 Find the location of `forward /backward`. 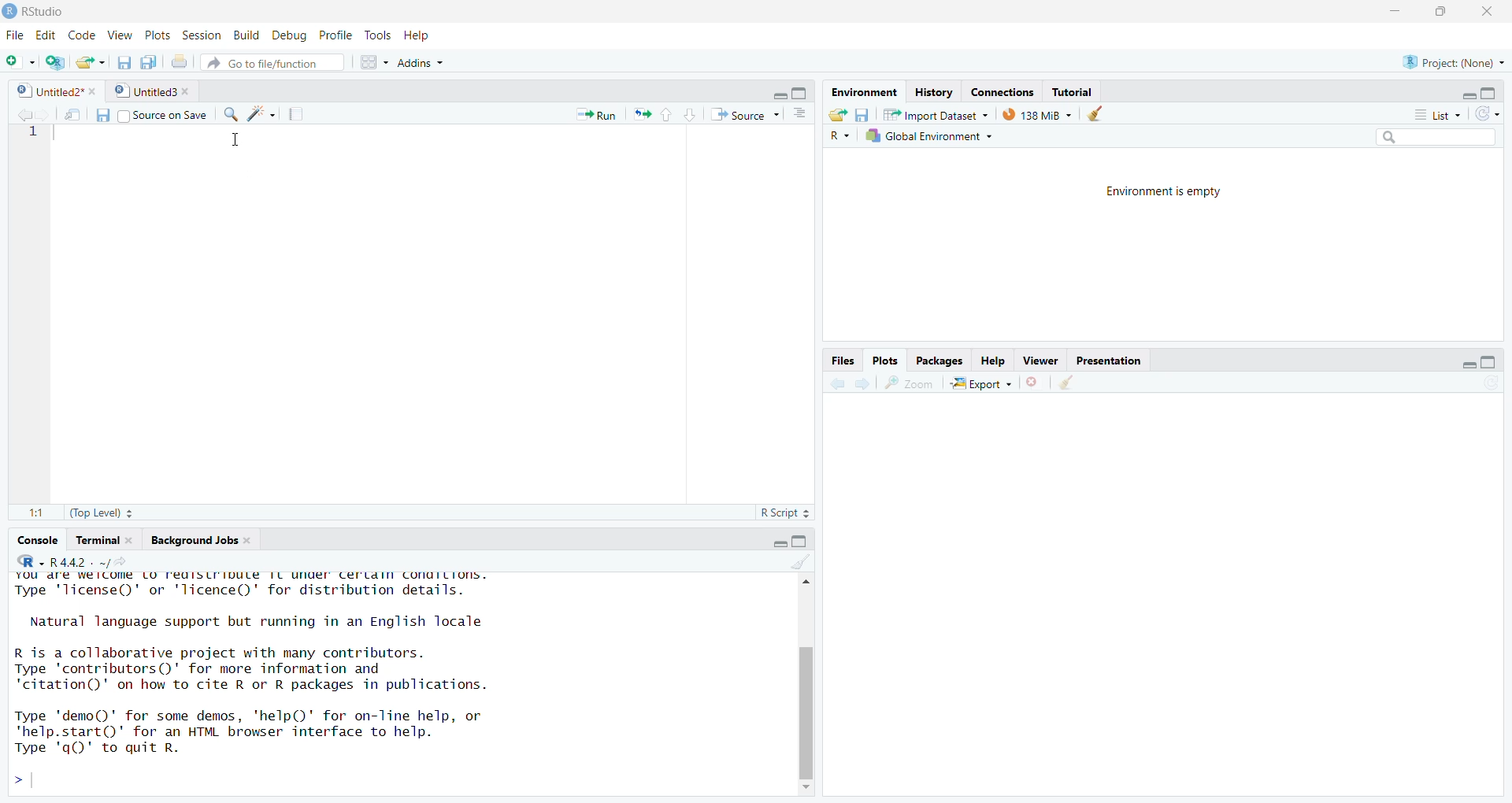

forward /backward is located at coordinates (847, 383).